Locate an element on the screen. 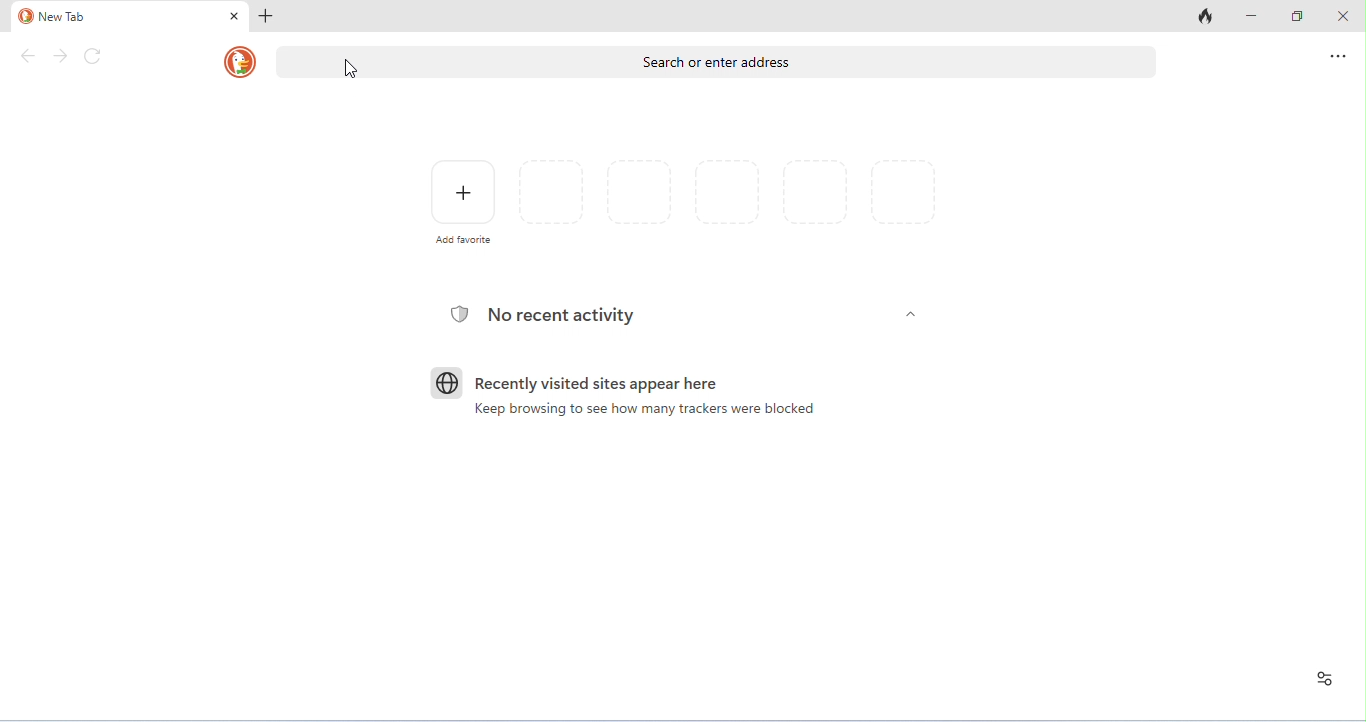  close is located at coordinates (235, 16).